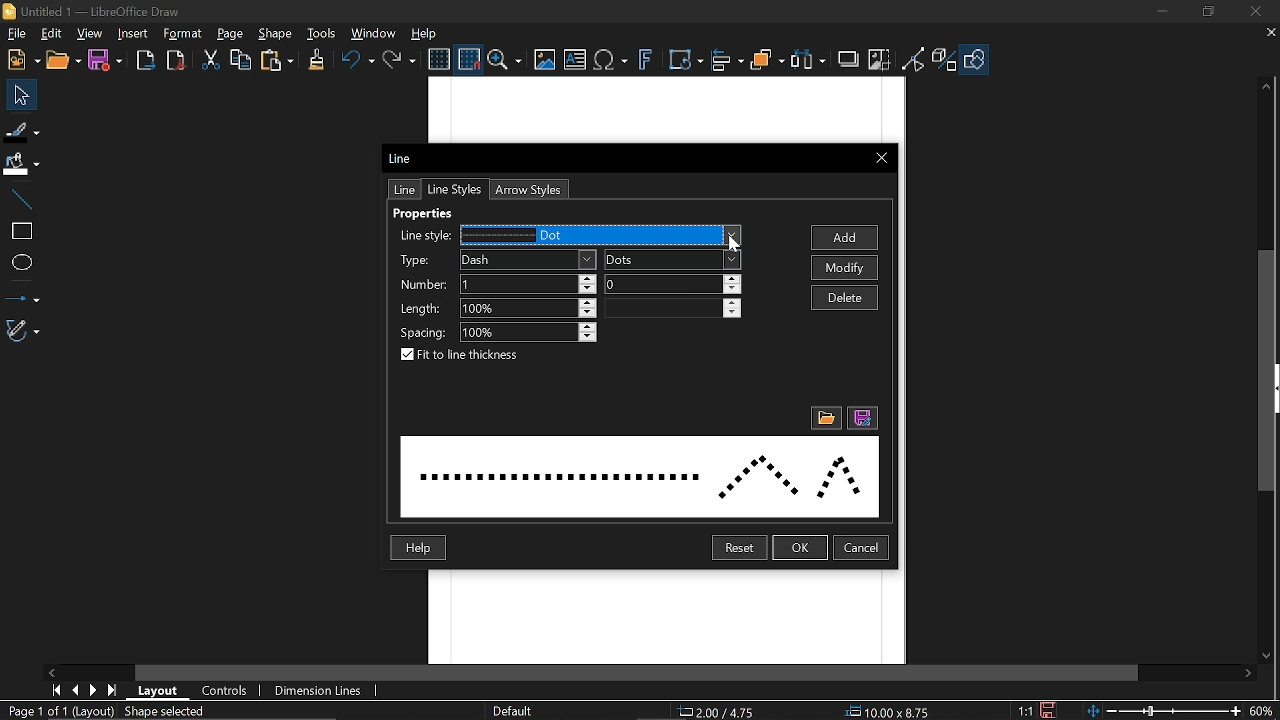  Describe the element at coordinates (53, 34) in the screenshot. I see `Edit` at that location.